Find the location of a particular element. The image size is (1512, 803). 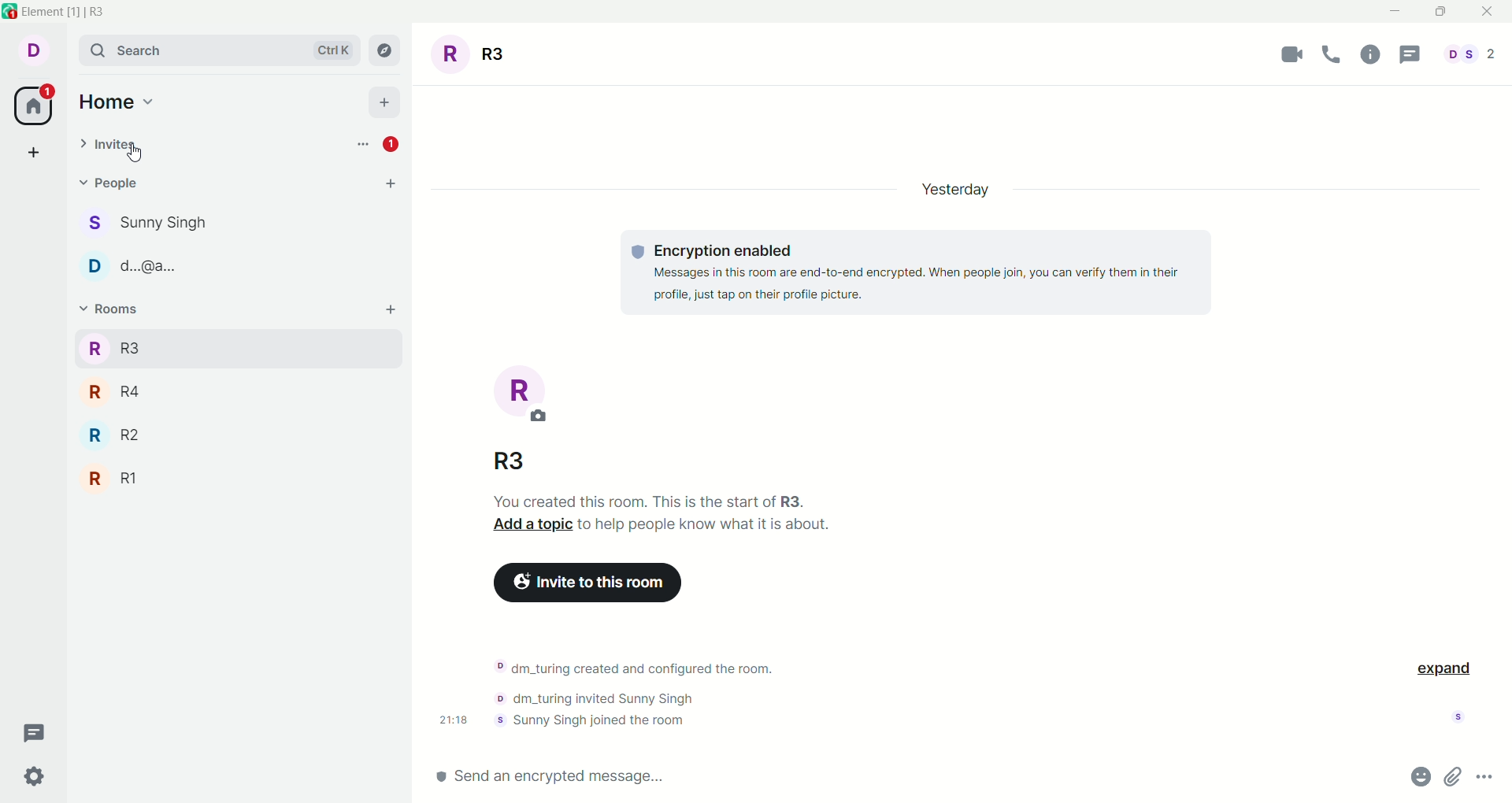

R3 is located at coordinates (233, 347).